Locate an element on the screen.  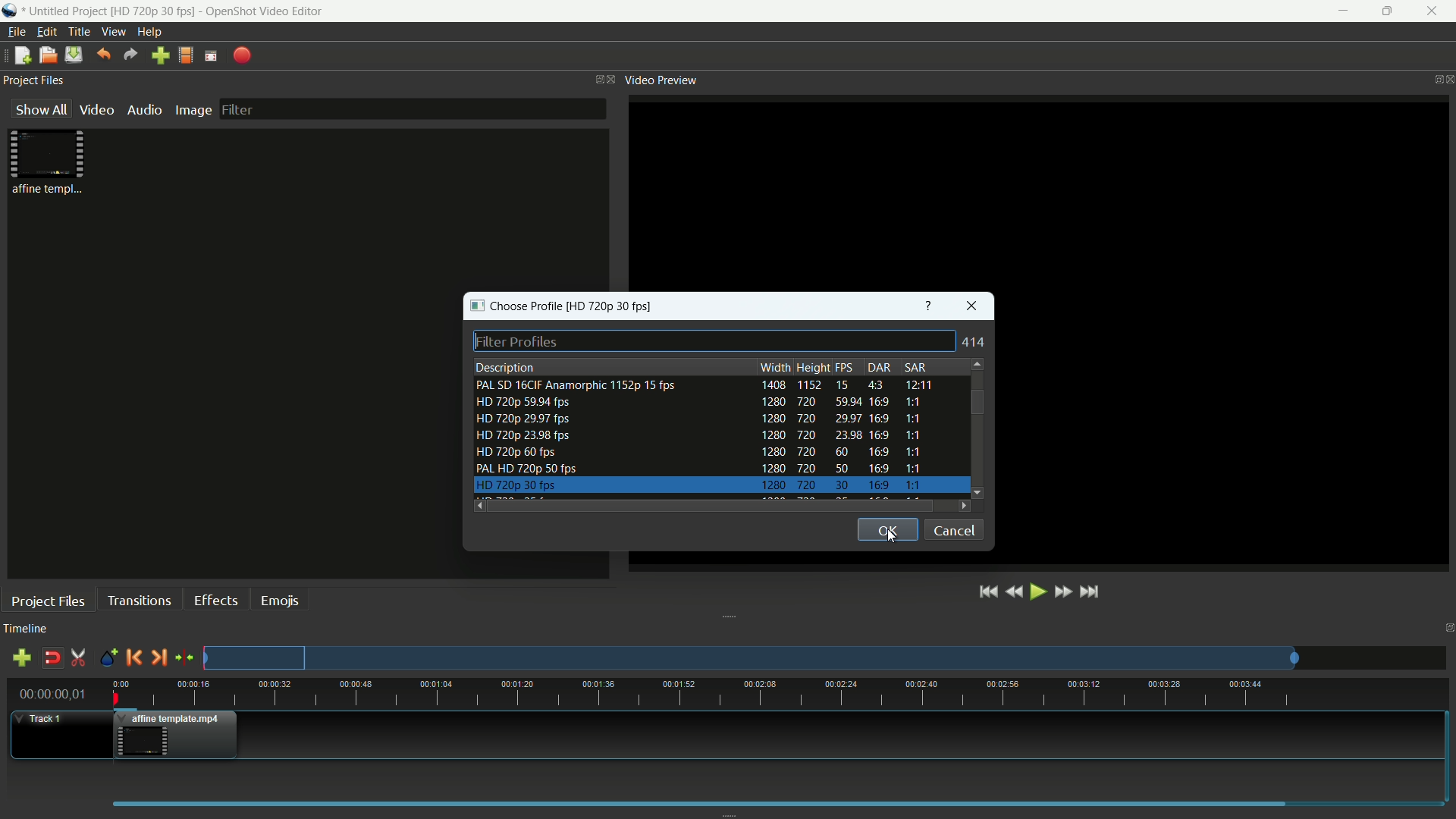
cursor is located at coordinates (893, 538).